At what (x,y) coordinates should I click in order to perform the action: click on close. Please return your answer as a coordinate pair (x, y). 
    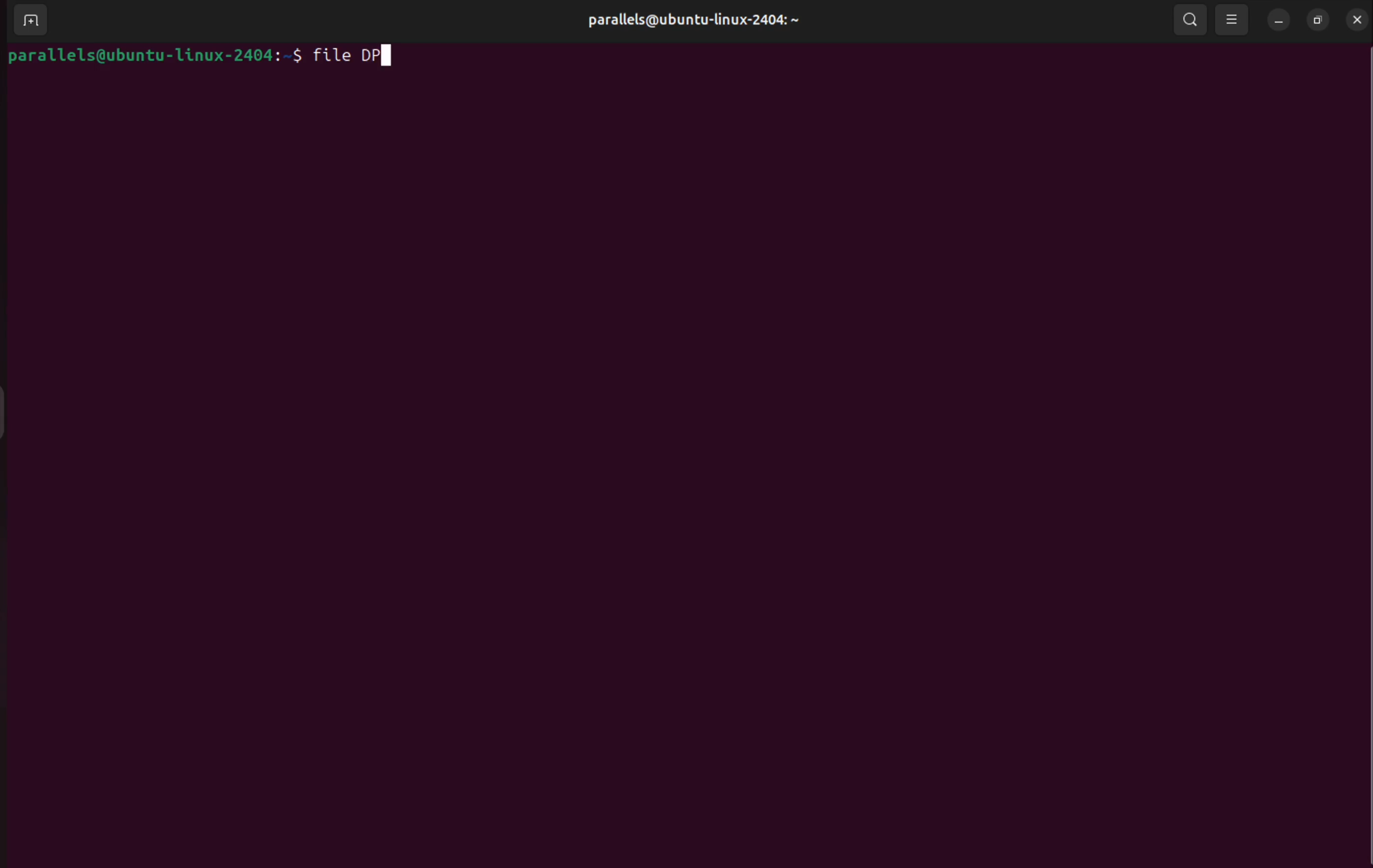
    Looking at the image, I should click on (1358, 21).